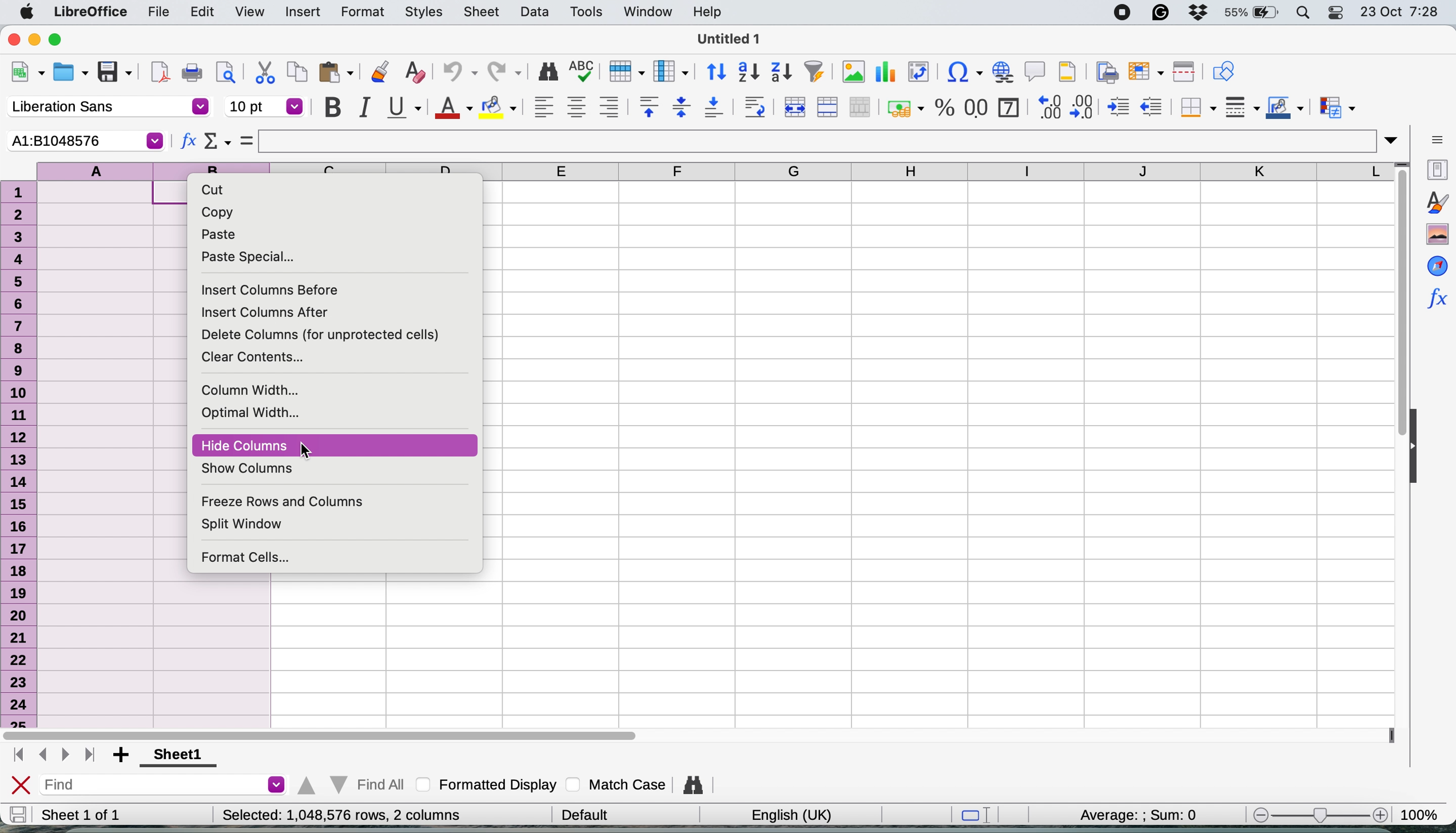  I want to click on format as date, so click(1008, 107).